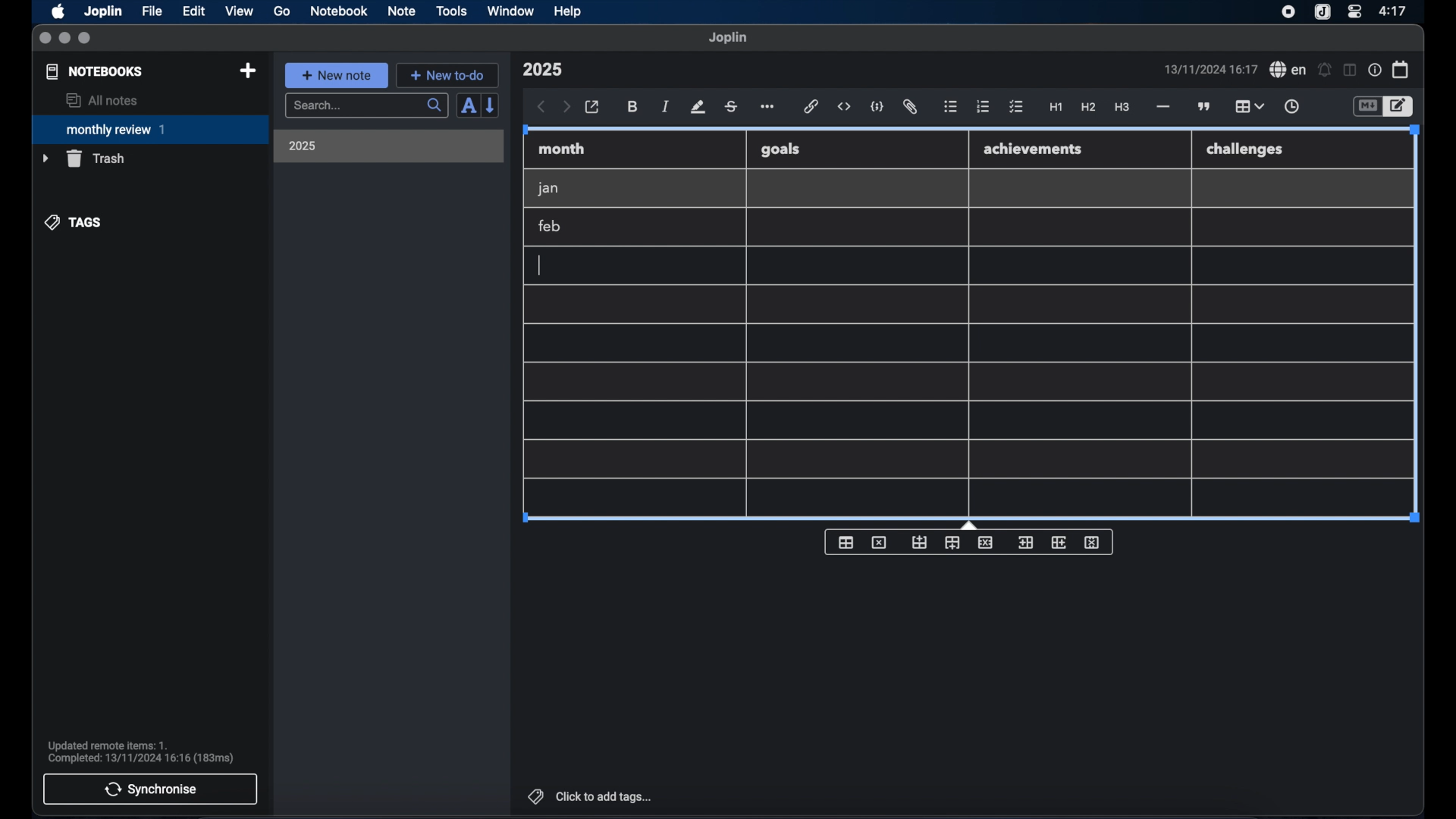  Describe the element at coordinates (987, 541) in the screenshot. I see `delete row` at that location.